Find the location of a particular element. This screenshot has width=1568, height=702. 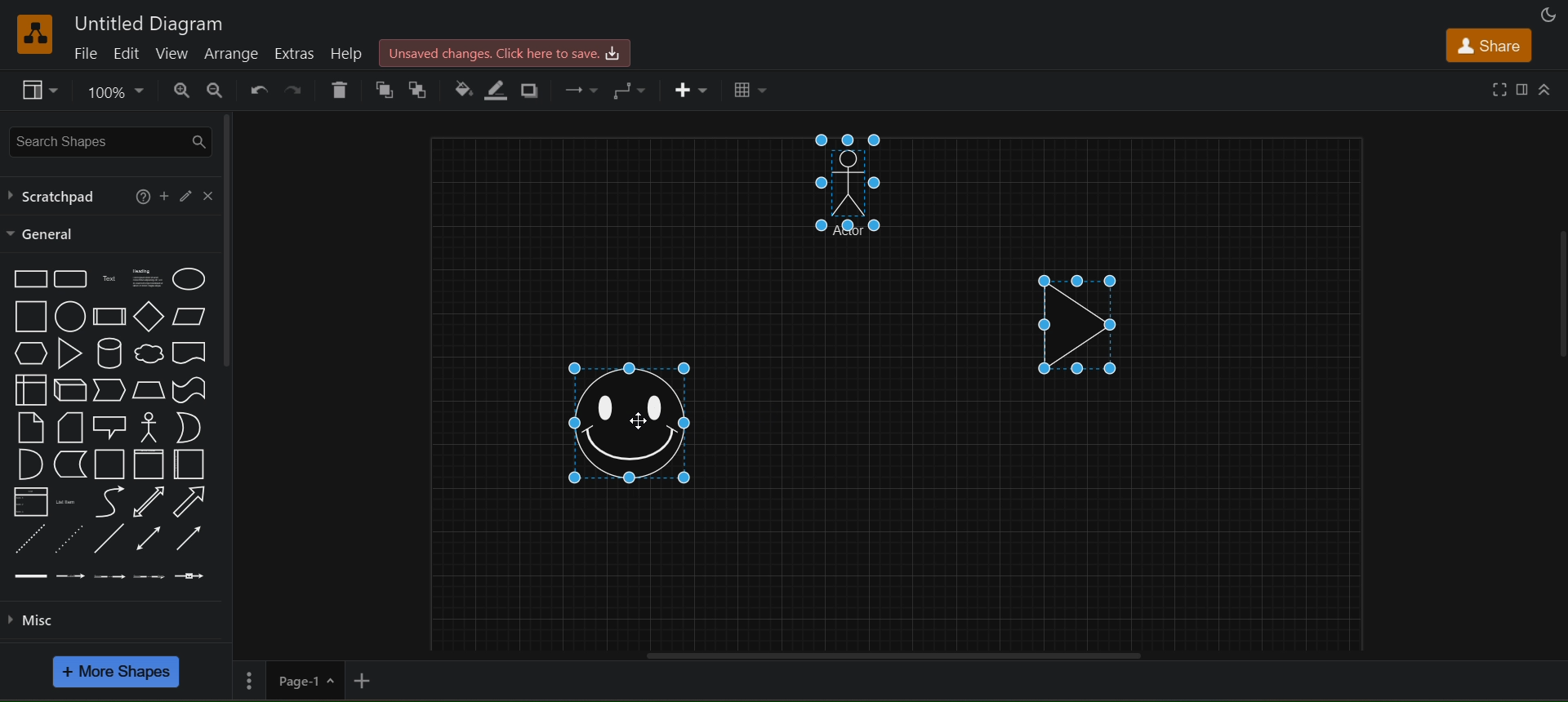

view is located at coordinates (38, 88).